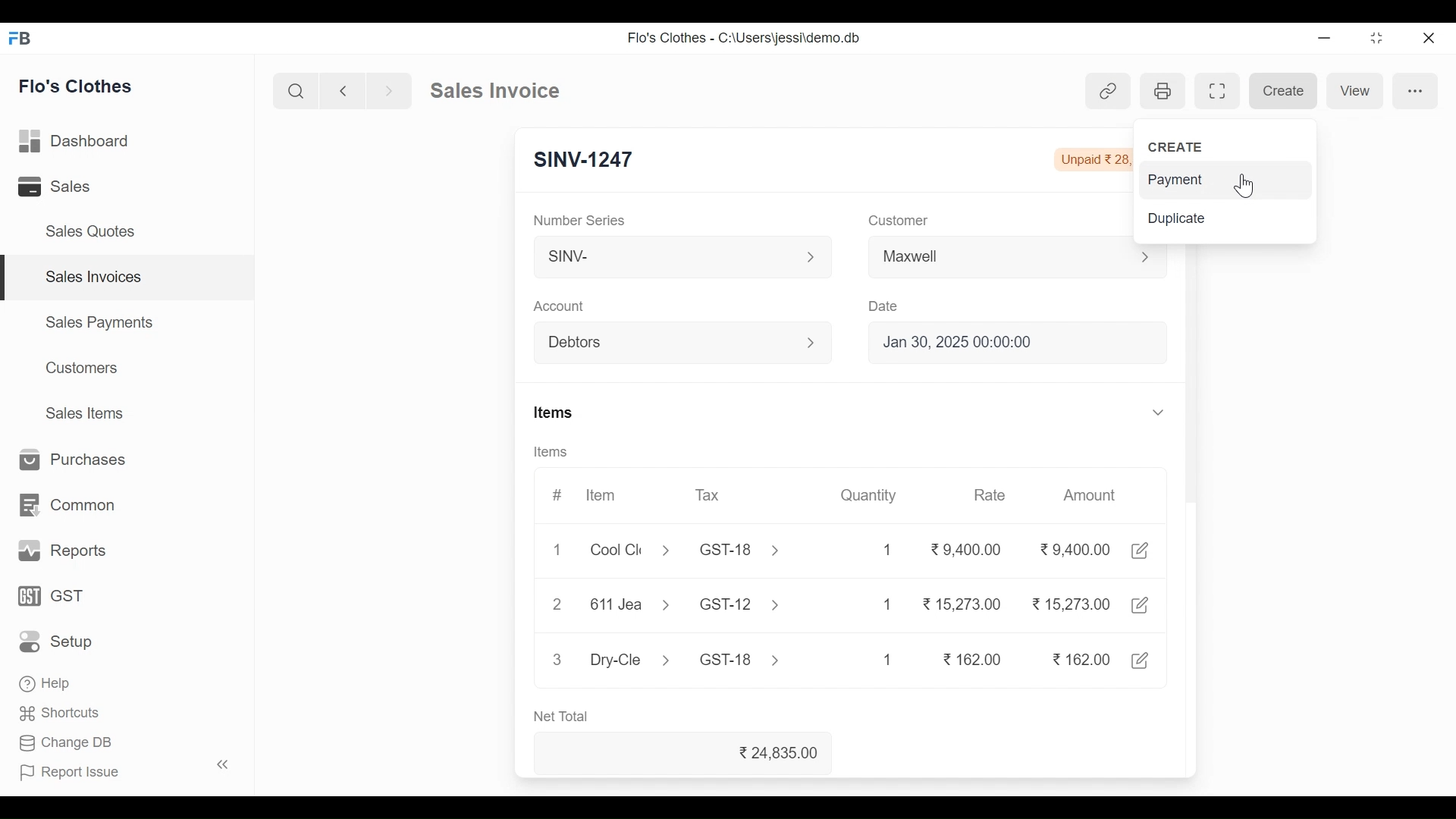 This screenshot has width=1456, height=819. Describe the element at coordinates (1177, 217) in the screenshot. I see `Duplicate` at that location.